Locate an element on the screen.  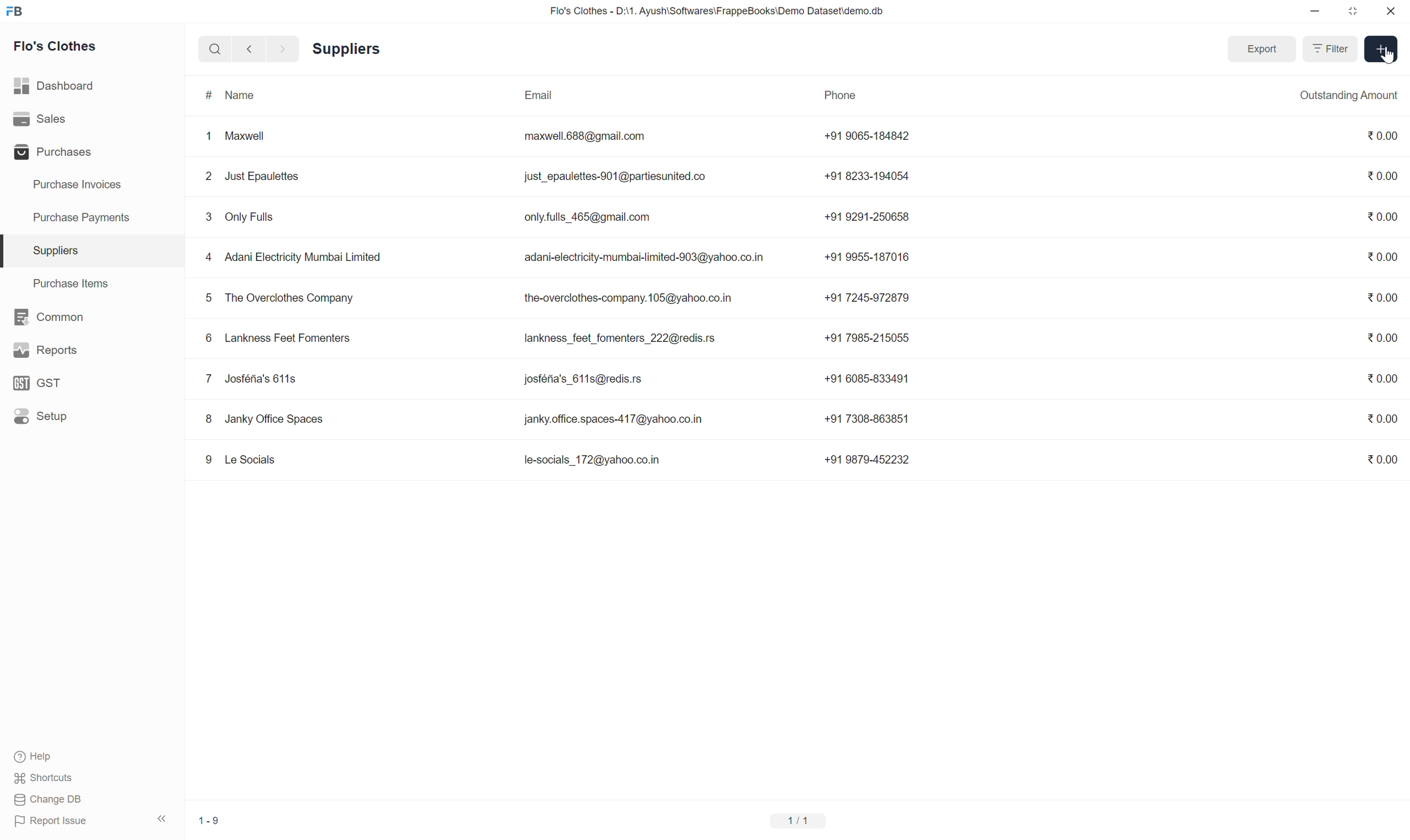
maxwell.688@gmail.com is located at coordinates (585, 136).